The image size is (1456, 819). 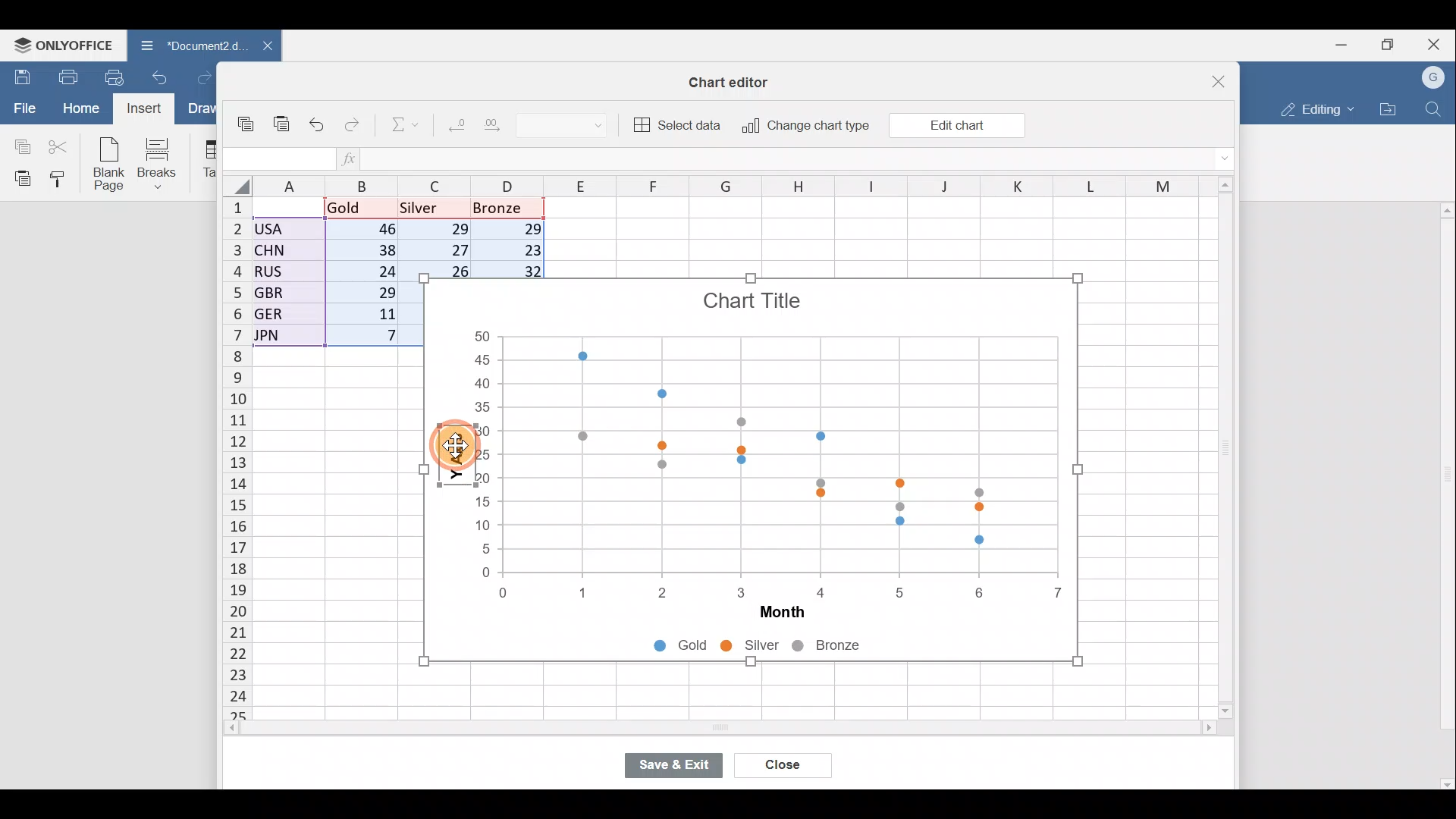 I want to click on Cursor on Insert, so click(x=144, y=111).